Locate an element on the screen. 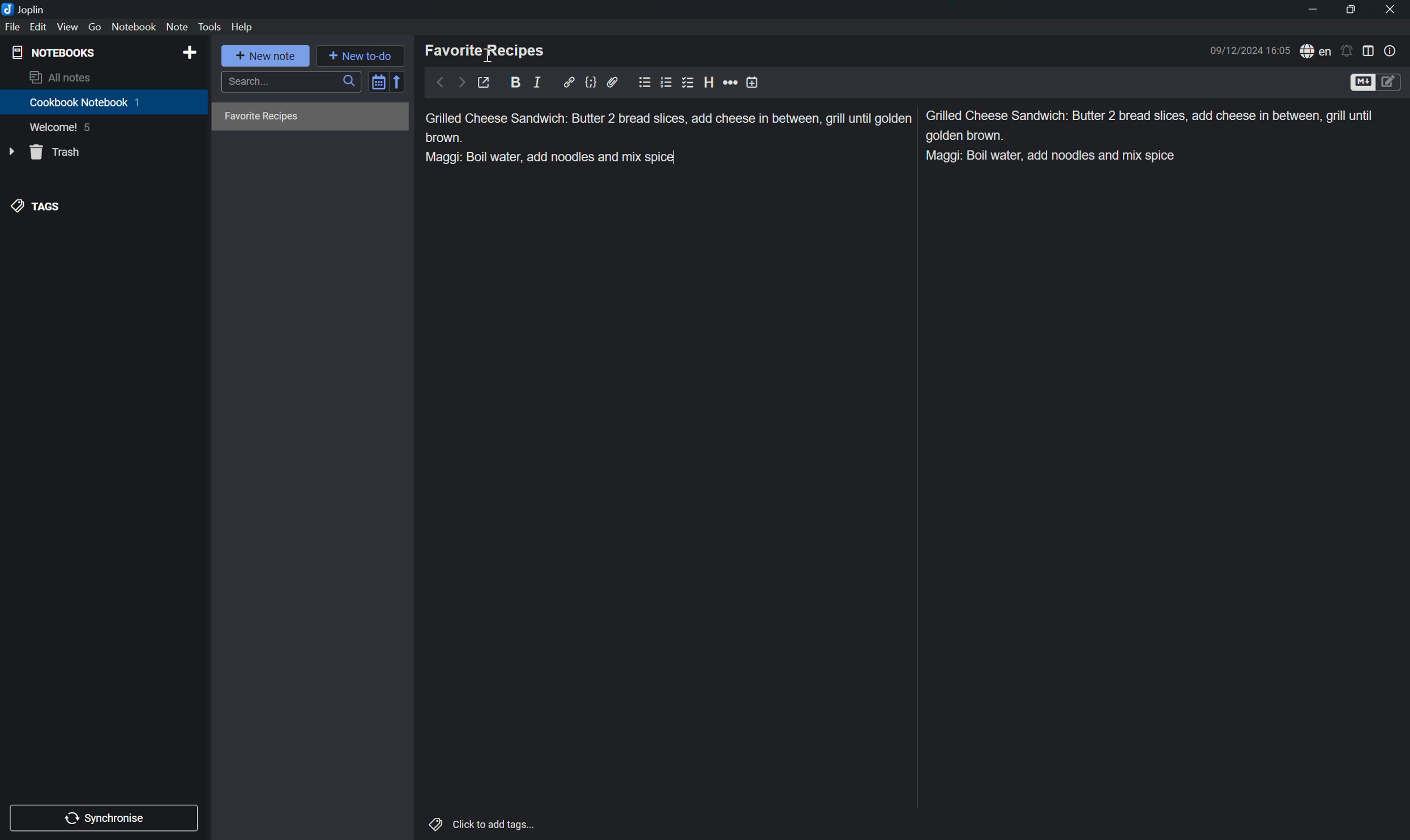 This screenshot has height=840, width=1410. Note is located at coordinates (177, 26).